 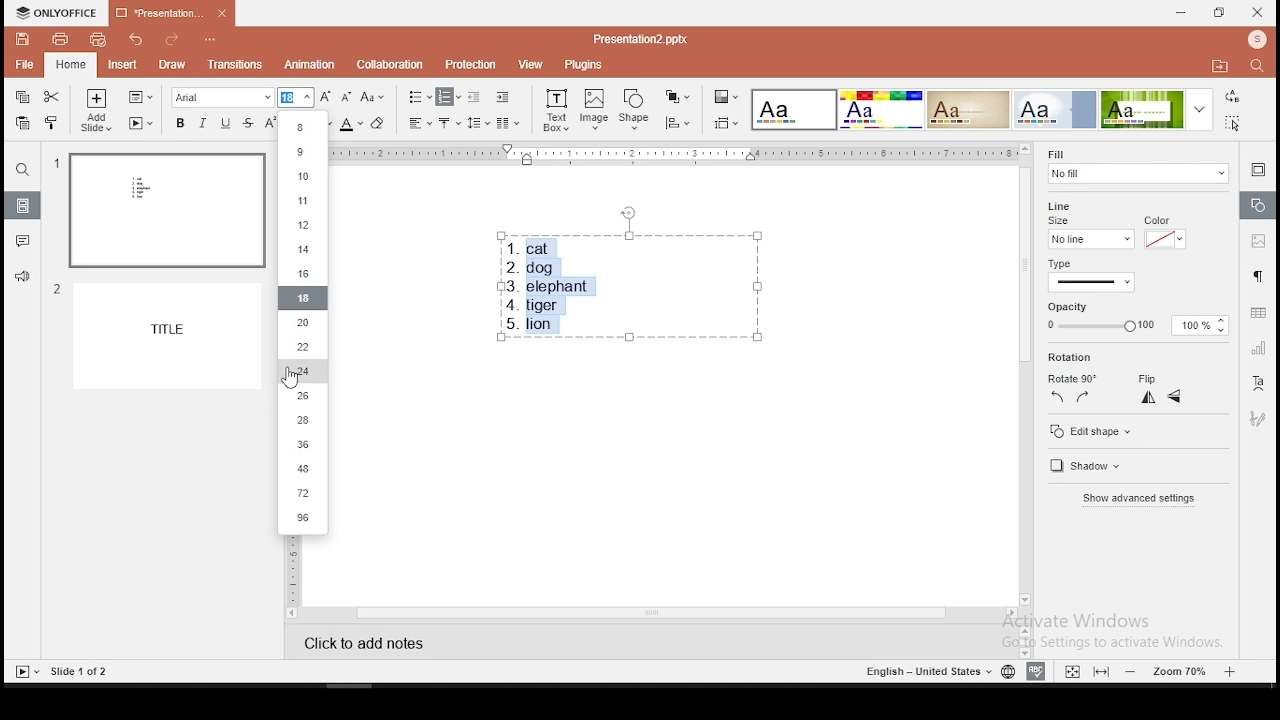 What do you see at coordinates (60, 39) in the screenshot?
I see `print file` at bounding box center [60, 39].